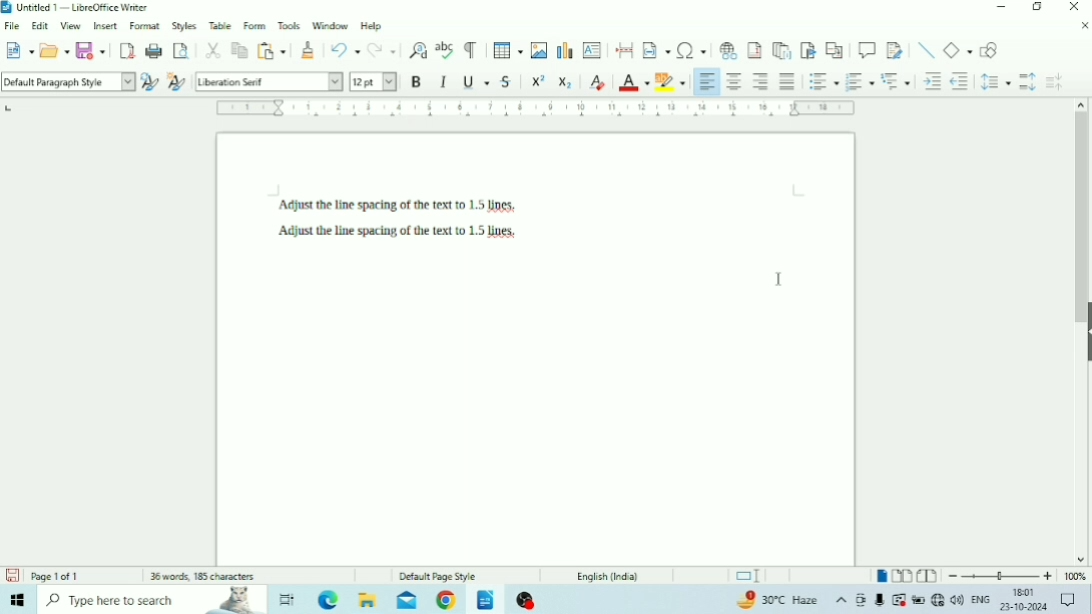  I want to click on Show Track Changes Functions, so click(895, 48).